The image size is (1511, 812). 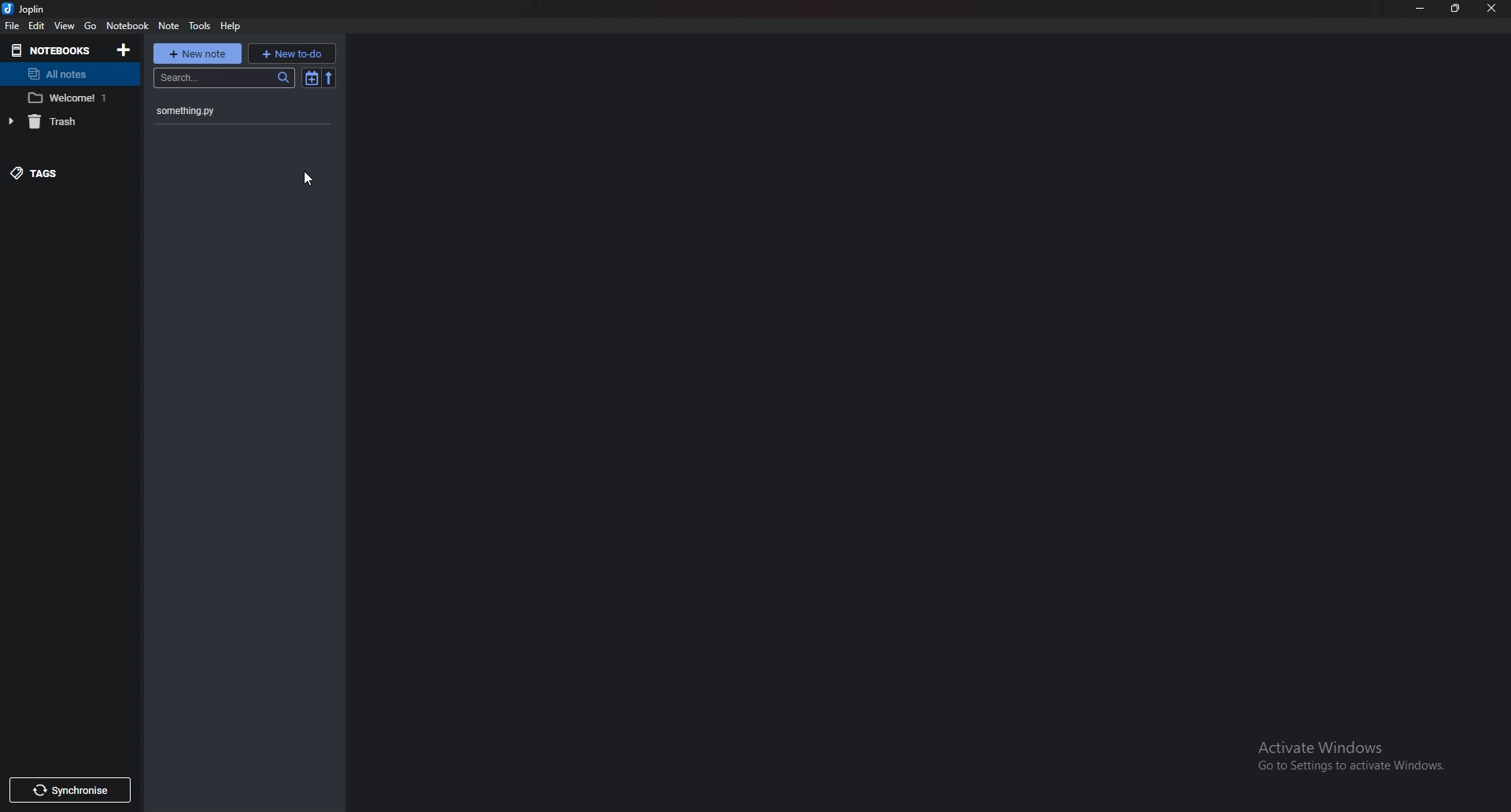 I want to click on go, so click(x=91, y=25).